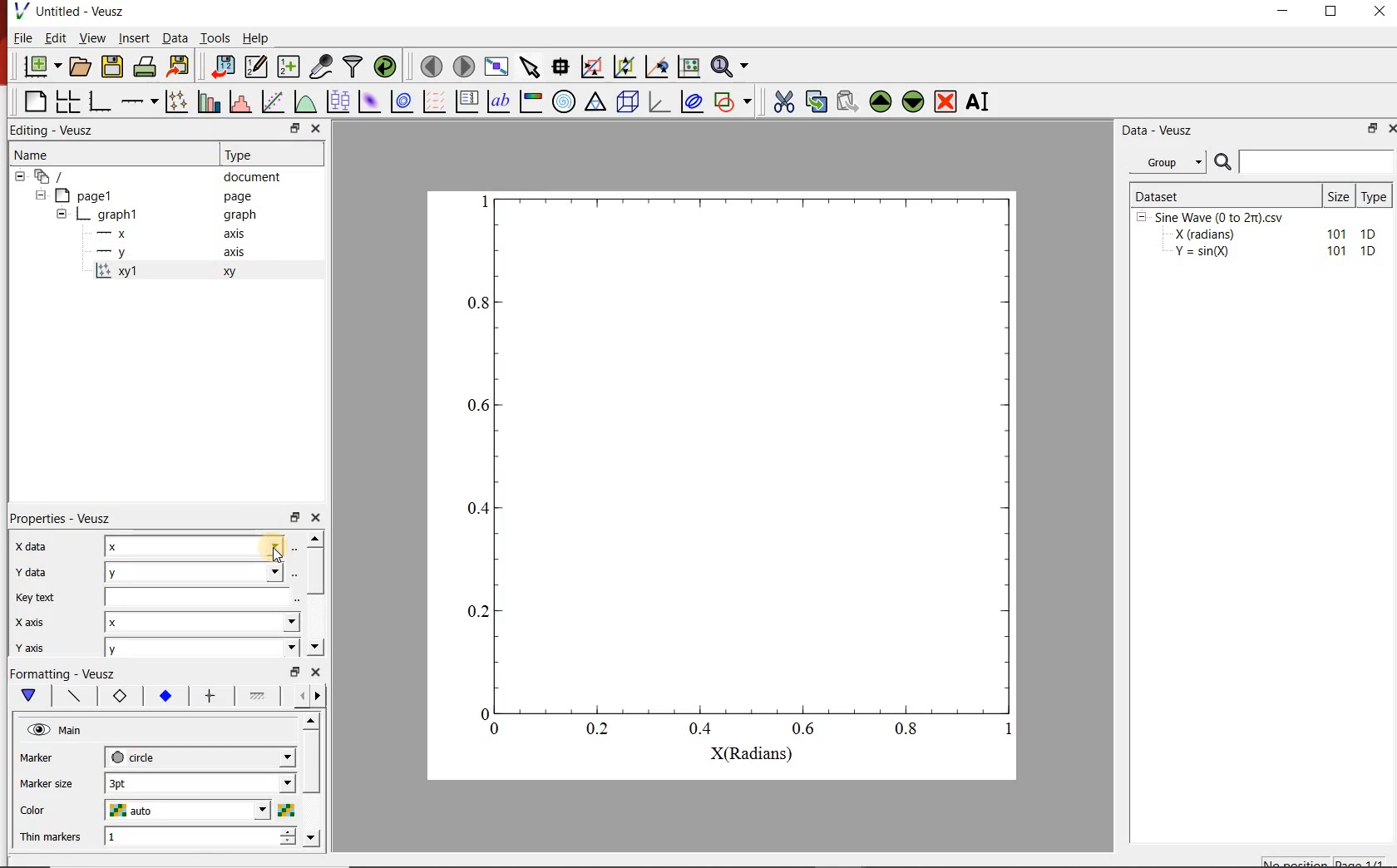  What do you see at coordinates (21, 10) in the screenshot?
I see `Logo` at bounding box center [21, 10].